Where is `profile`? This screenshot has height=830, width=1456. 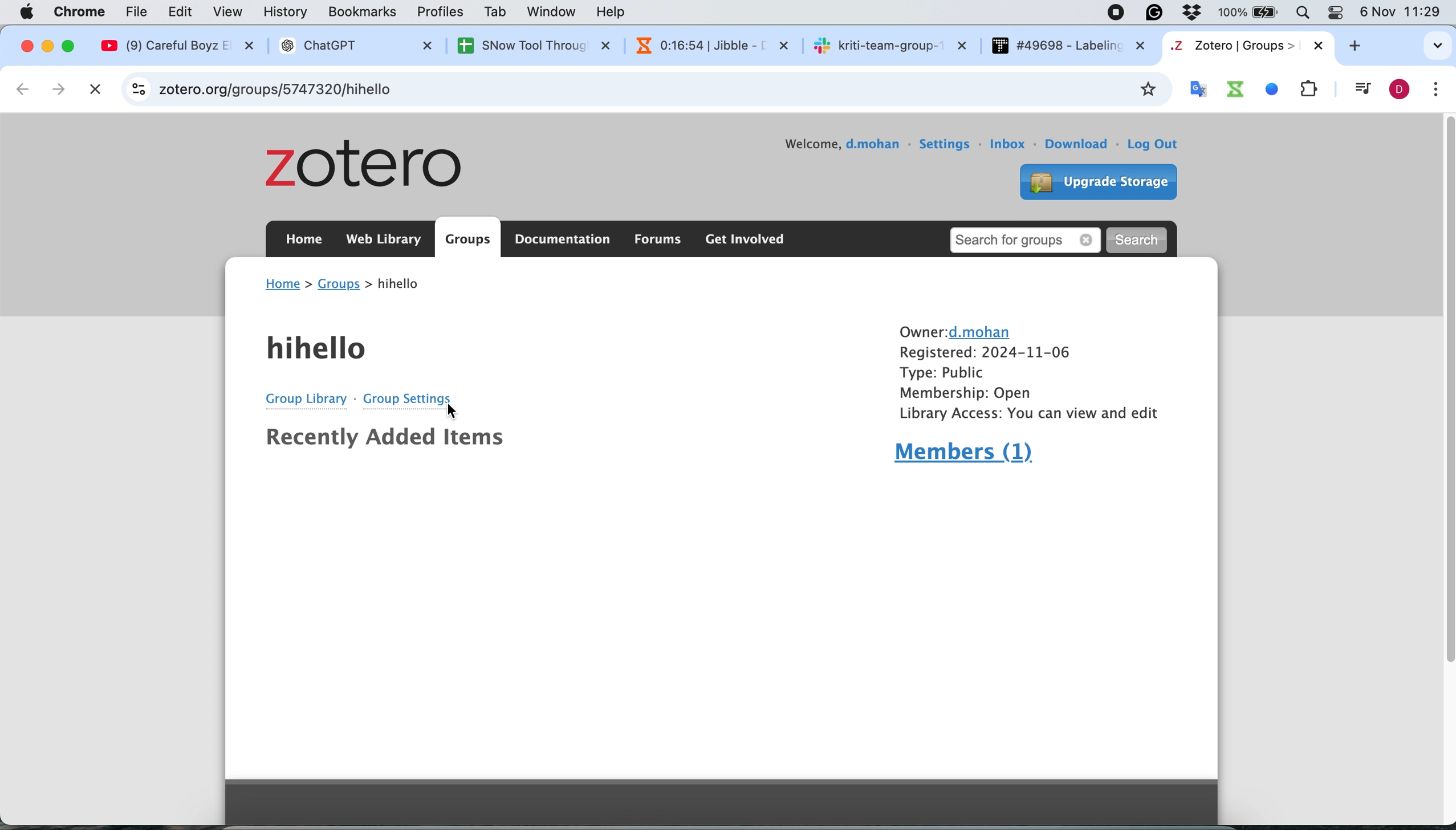 profile is located at coordinates (1402, 91).